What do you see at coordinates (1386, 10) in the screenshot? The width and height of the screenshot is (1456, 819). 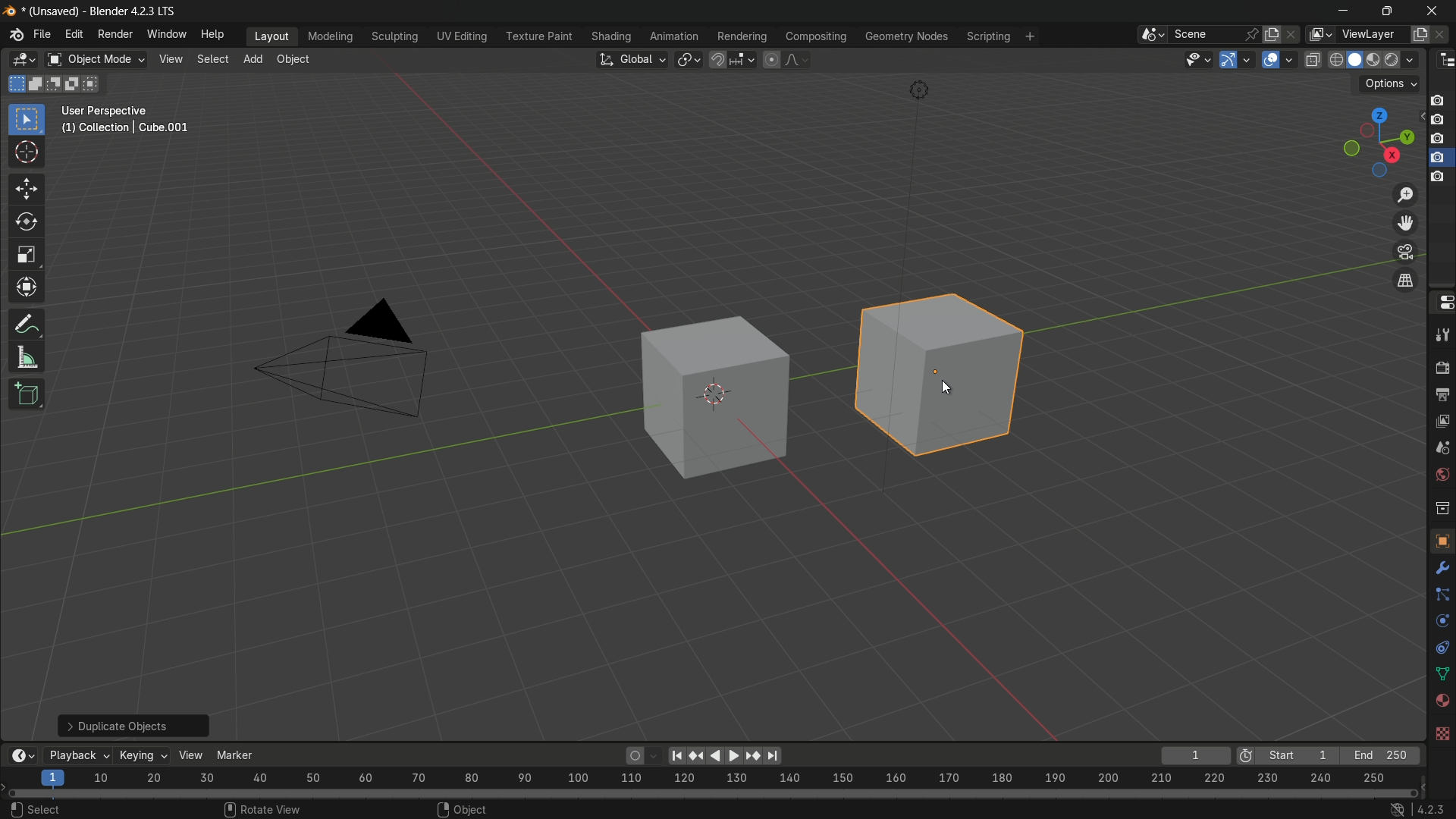 I see `maximize or restore` at bounding box center [1386, 10].